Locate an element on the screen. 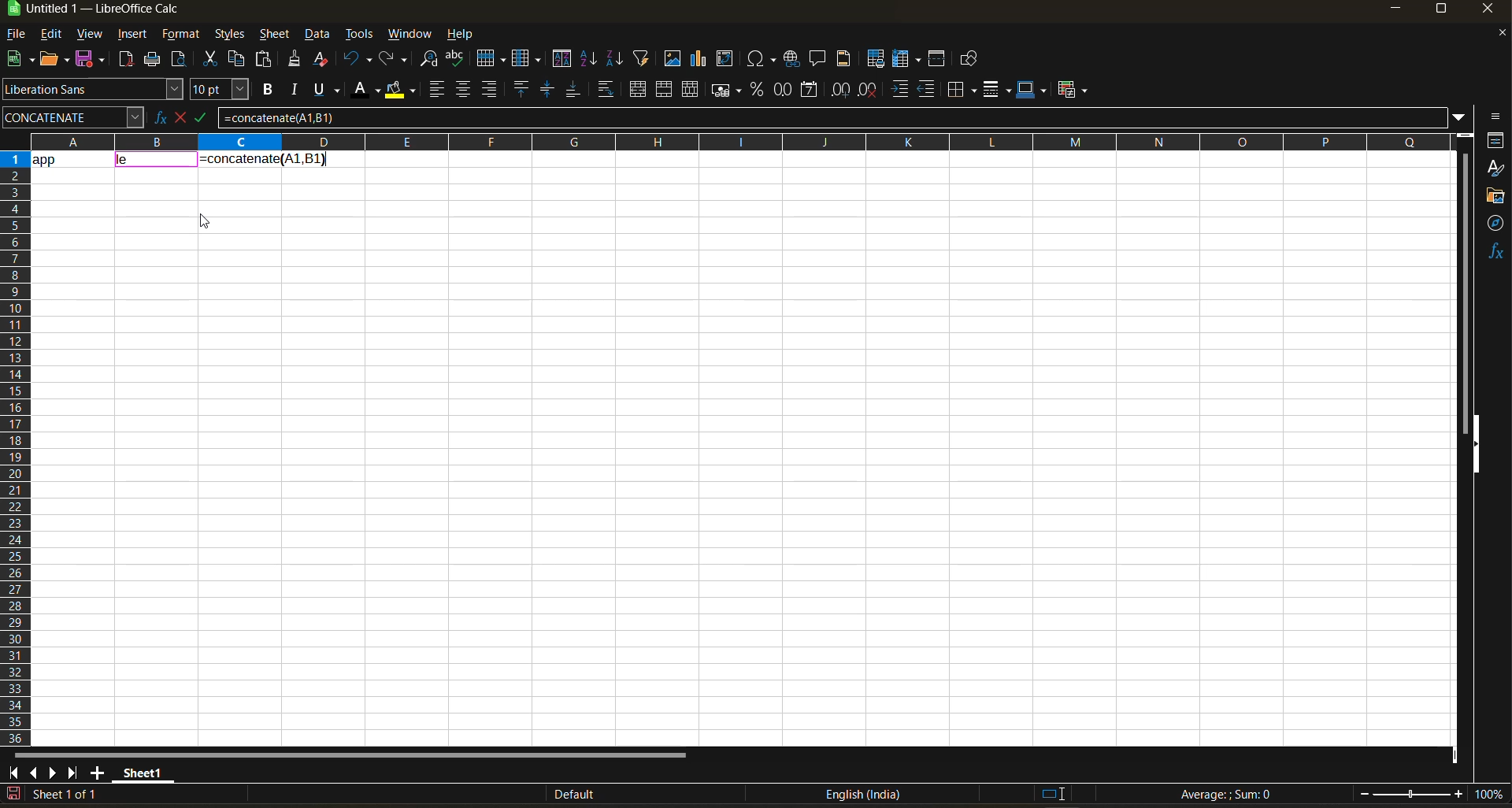  close is located at coordinates (1492, 12).